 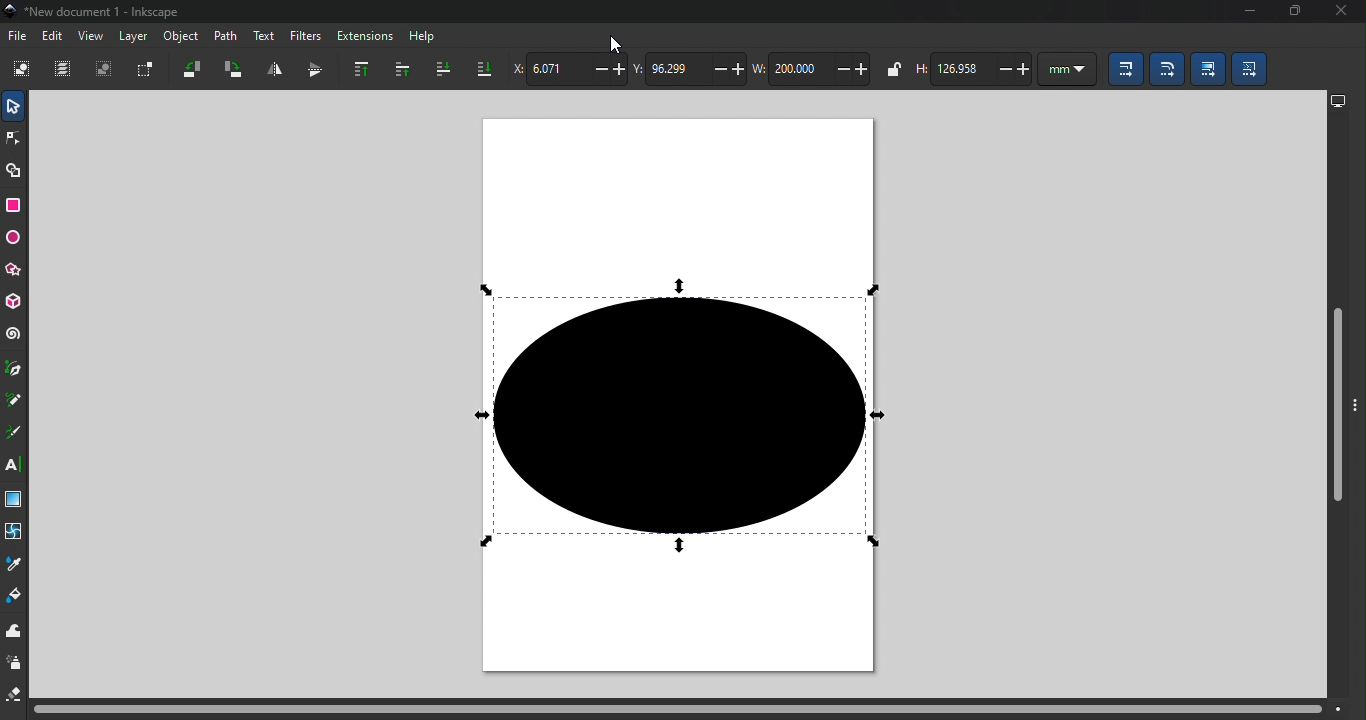 I want to click on Select all in all layers, so click(x=62, y=70).